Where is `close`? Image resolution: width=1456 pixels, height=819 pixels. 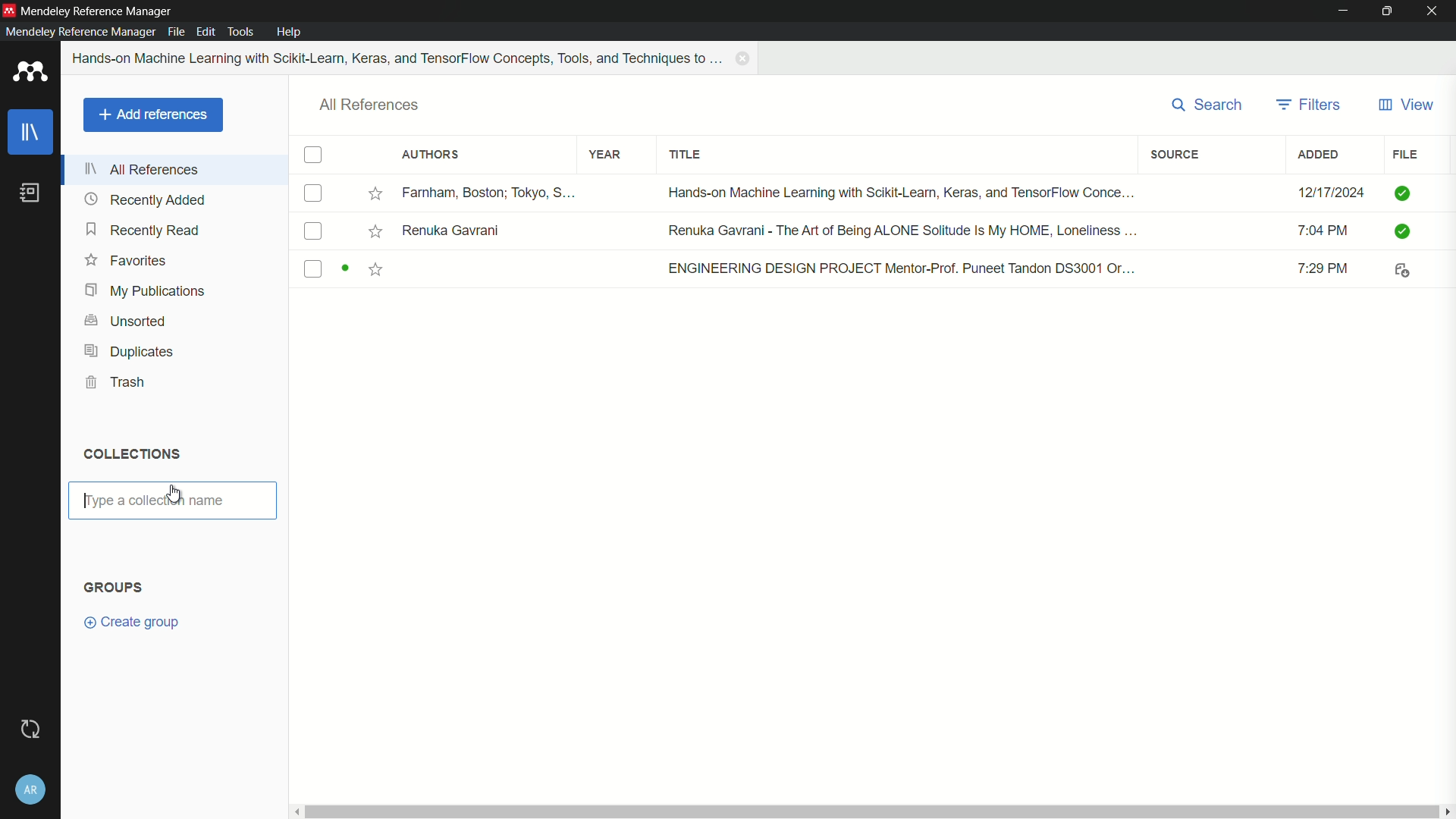
close is located at coordinates (1436, 11).